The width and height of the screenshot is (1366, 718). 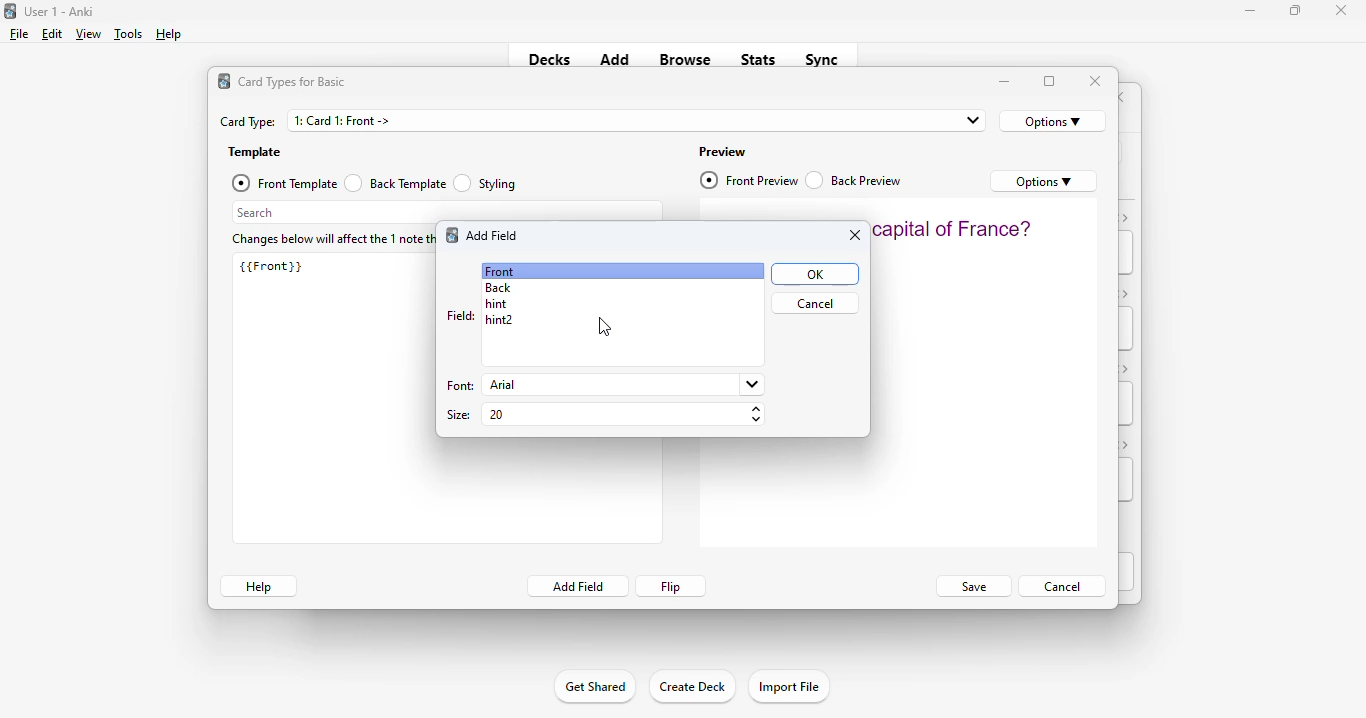 I want to click on back preview, so click(x=855, y=180).